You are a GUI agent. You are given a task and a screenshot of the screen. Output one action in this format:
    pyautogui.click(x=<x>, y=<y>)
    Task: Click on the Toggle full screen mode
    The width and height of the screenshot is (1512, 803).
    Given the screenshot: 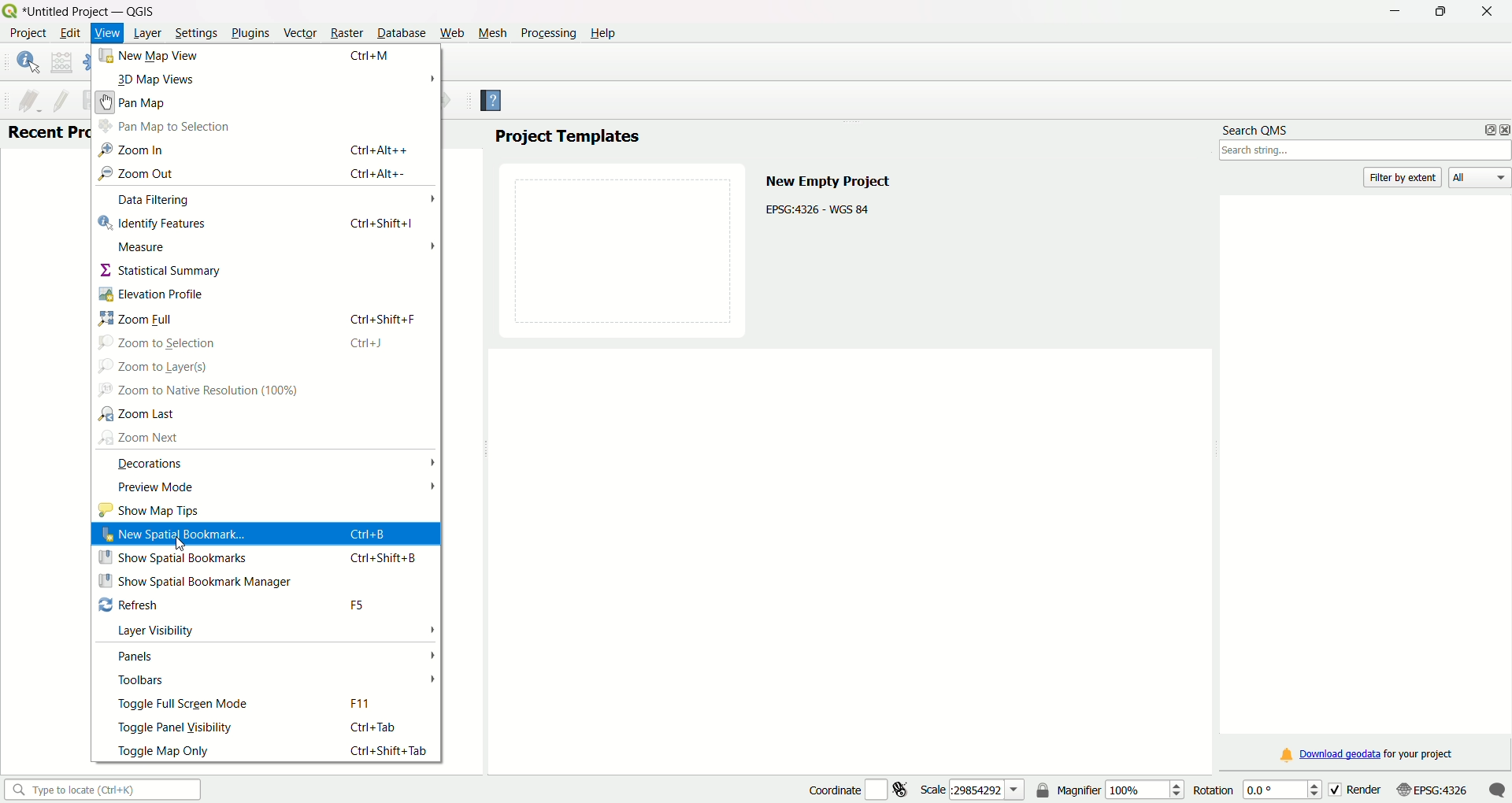 What is the action you would take?
    pyautogui.click(x=183, y=703)
    